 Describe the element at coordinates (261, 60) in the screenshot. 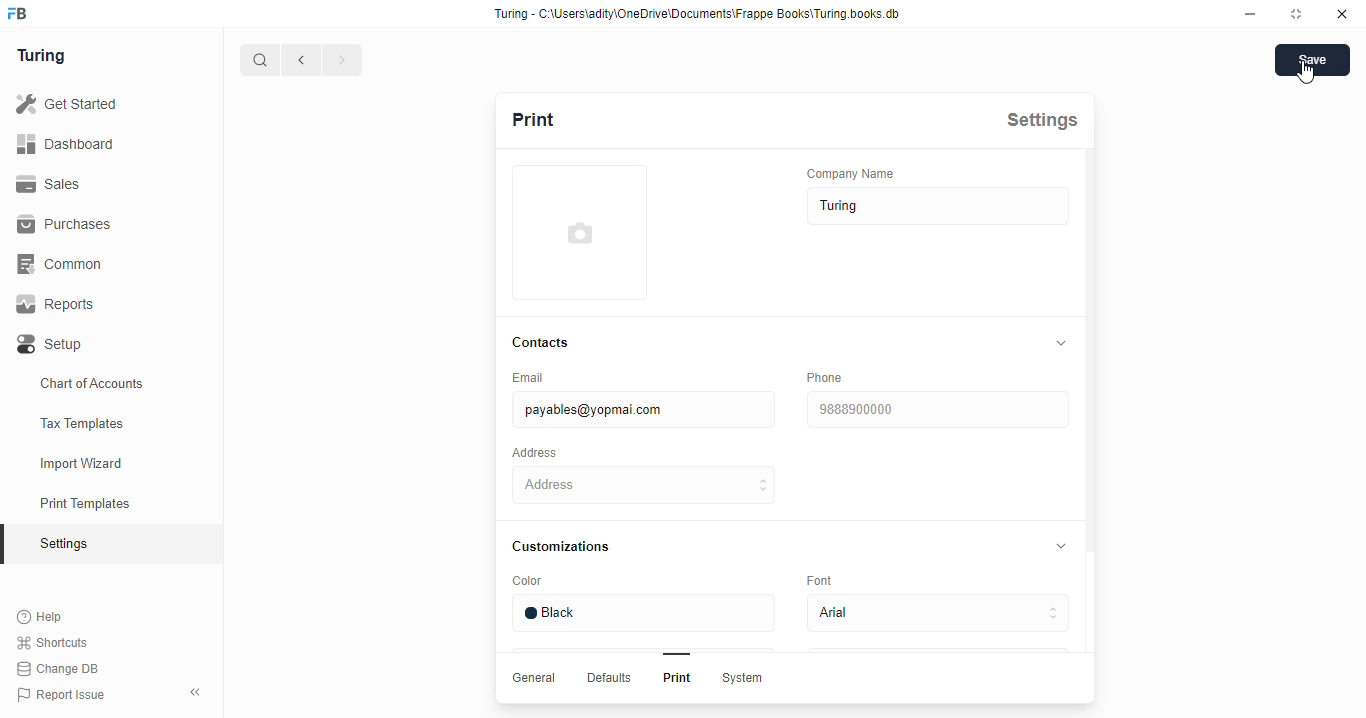

I see `search` at that location.